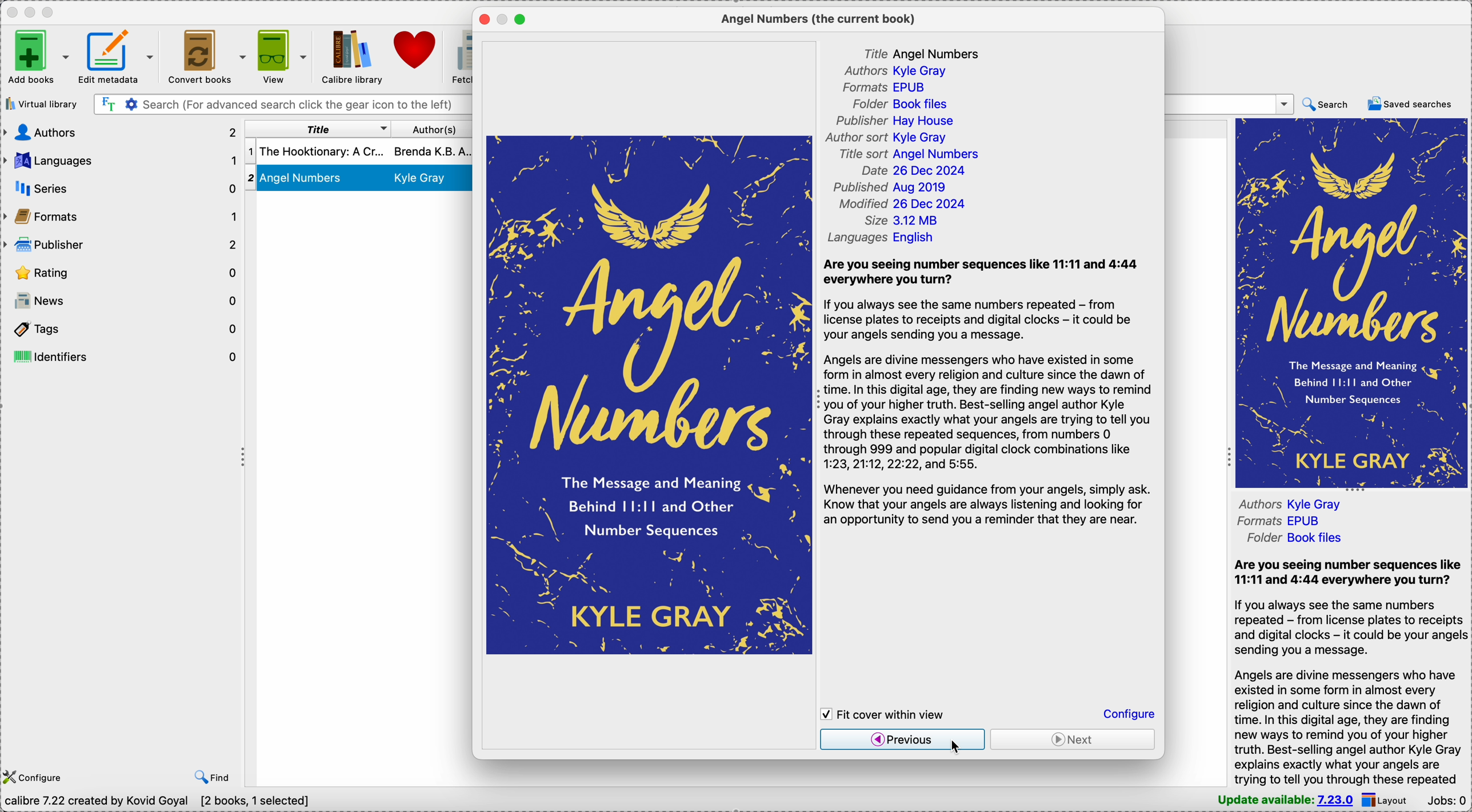  I want to click on maximize, so click(520, 19).